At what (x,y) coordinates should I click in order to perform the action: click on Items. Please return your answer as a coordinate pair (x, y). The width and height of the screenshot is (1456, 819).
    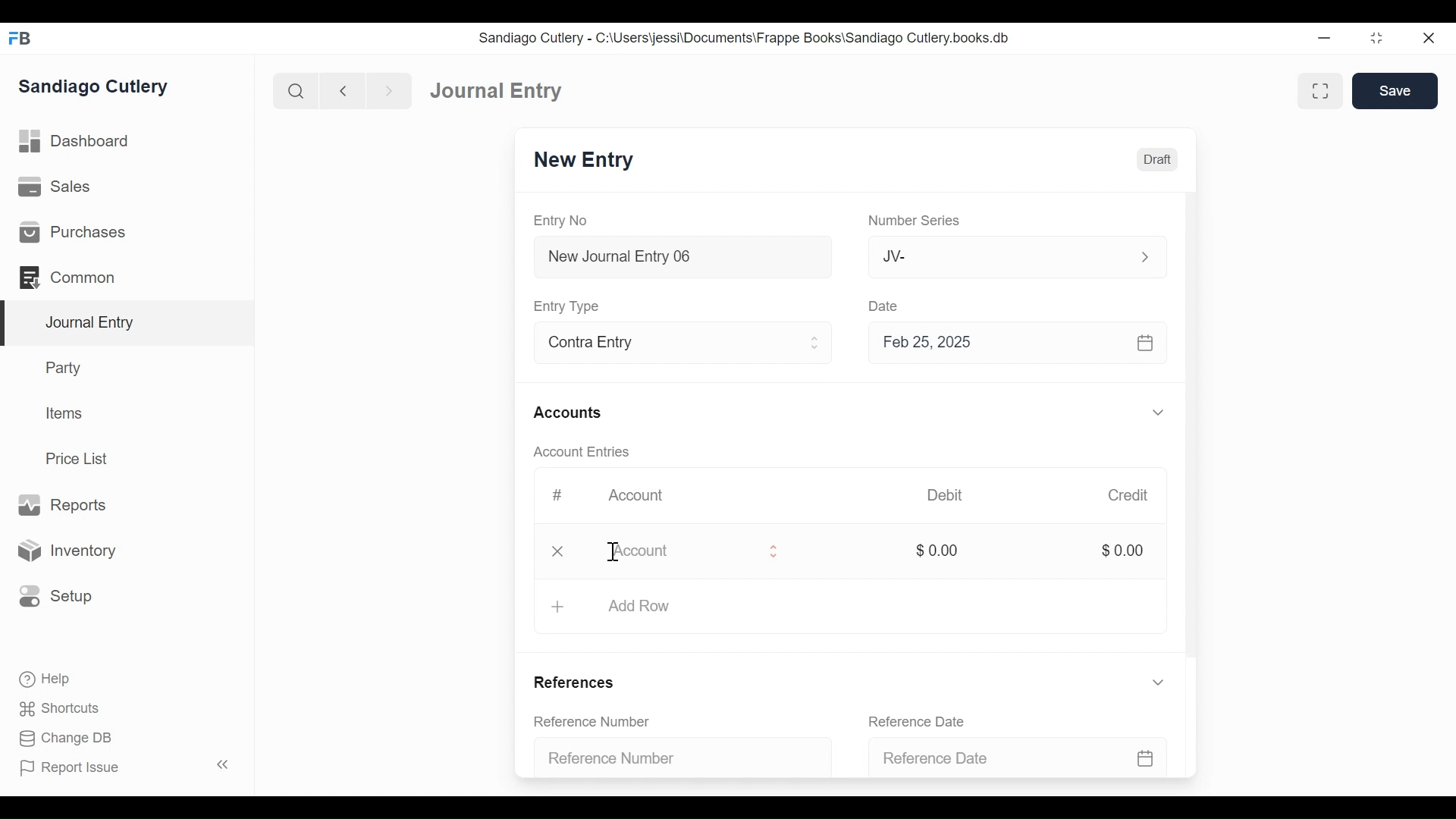
    Looking at the image, I should click on (65, 413).